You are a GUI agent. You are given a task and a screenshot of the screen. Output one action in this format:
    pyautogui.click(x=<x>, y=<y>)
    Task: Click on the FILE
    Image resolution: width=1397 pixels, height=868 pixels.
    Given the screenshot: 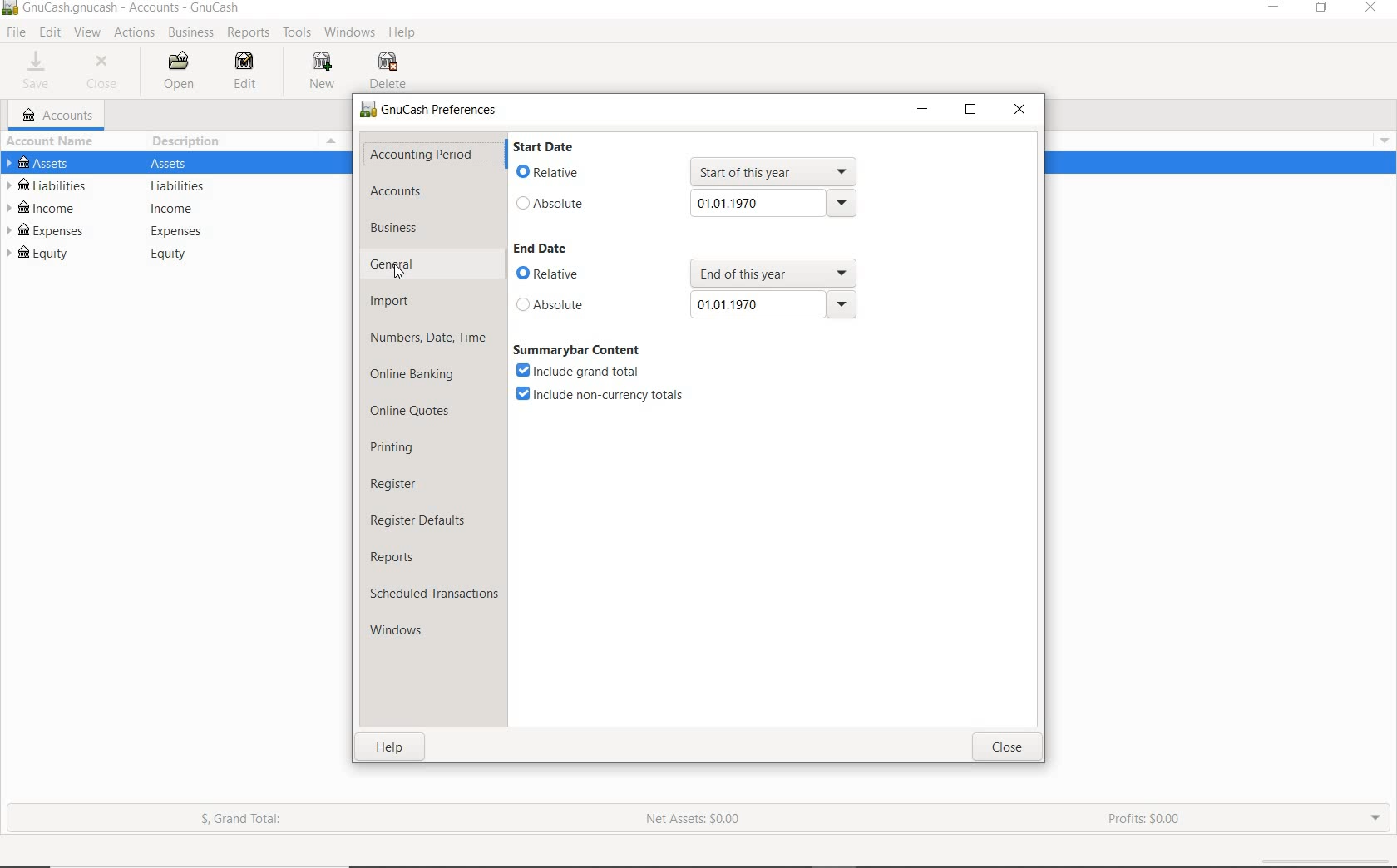 What is the action you would take?
    pyautogui.click(x=14, y=32)
    